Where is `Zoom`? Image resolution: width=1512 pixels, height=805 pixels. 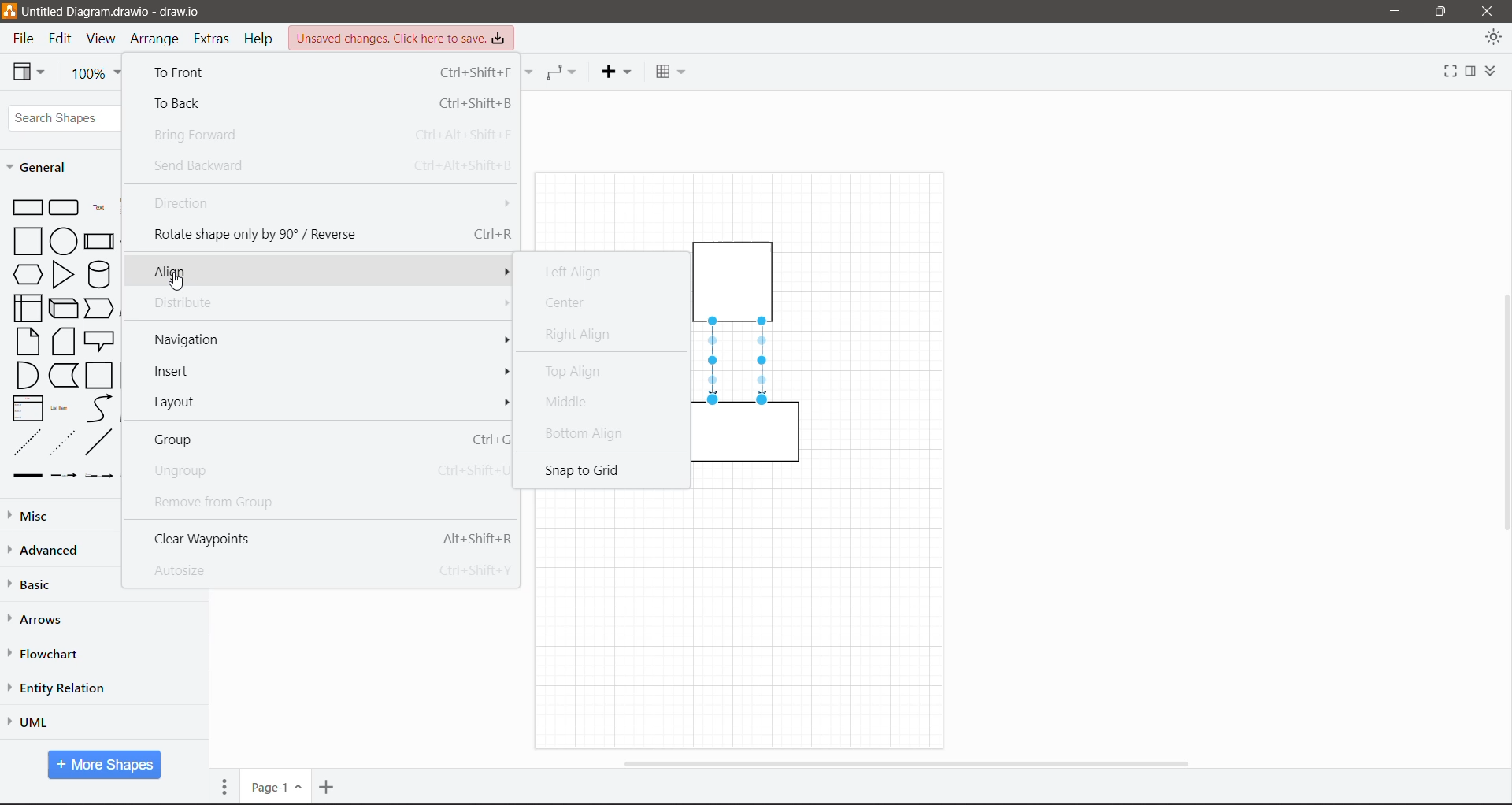 Zoom is located at coordinates (97, 74).